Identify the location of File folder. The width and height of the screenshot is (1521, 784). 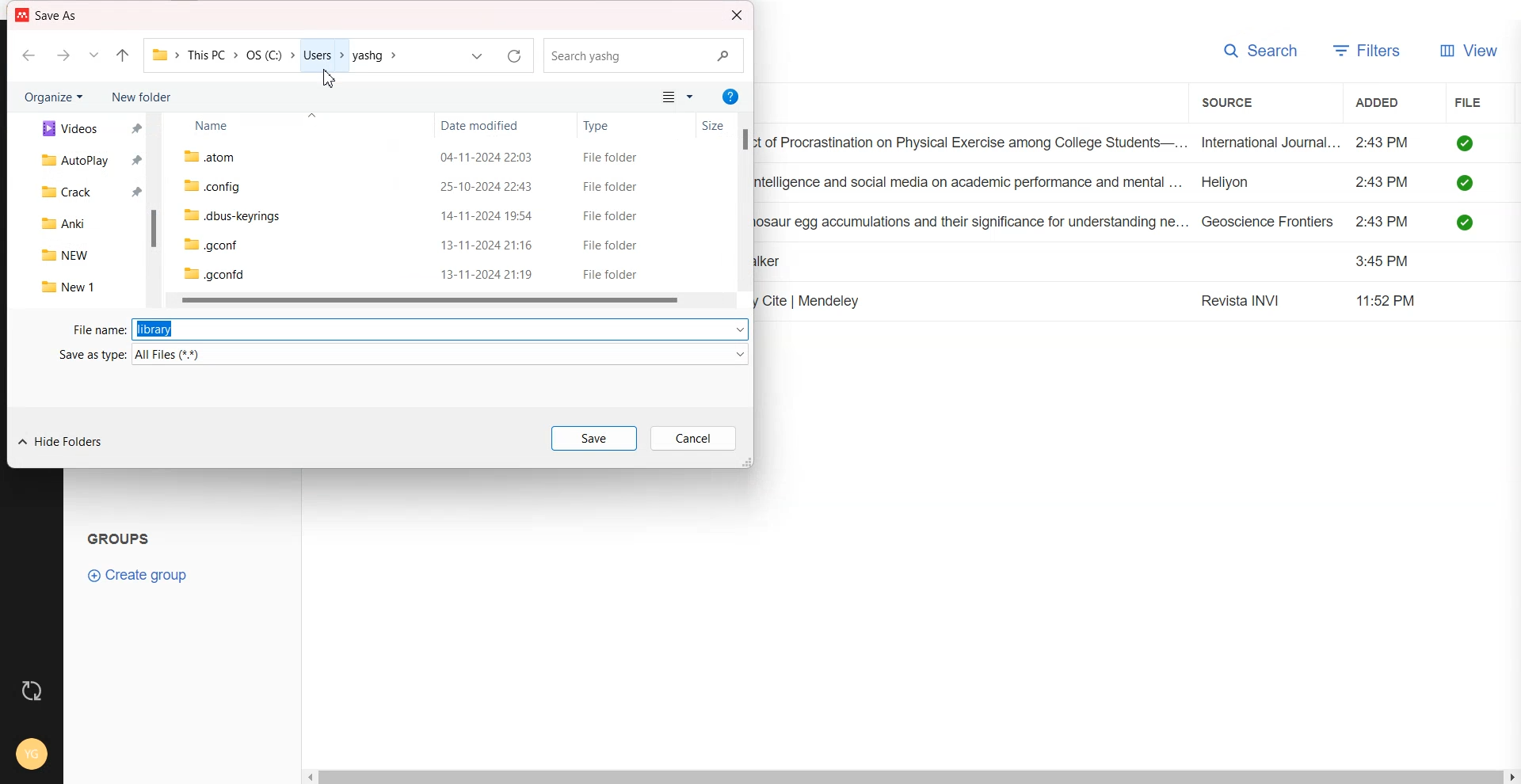
(612, 187).